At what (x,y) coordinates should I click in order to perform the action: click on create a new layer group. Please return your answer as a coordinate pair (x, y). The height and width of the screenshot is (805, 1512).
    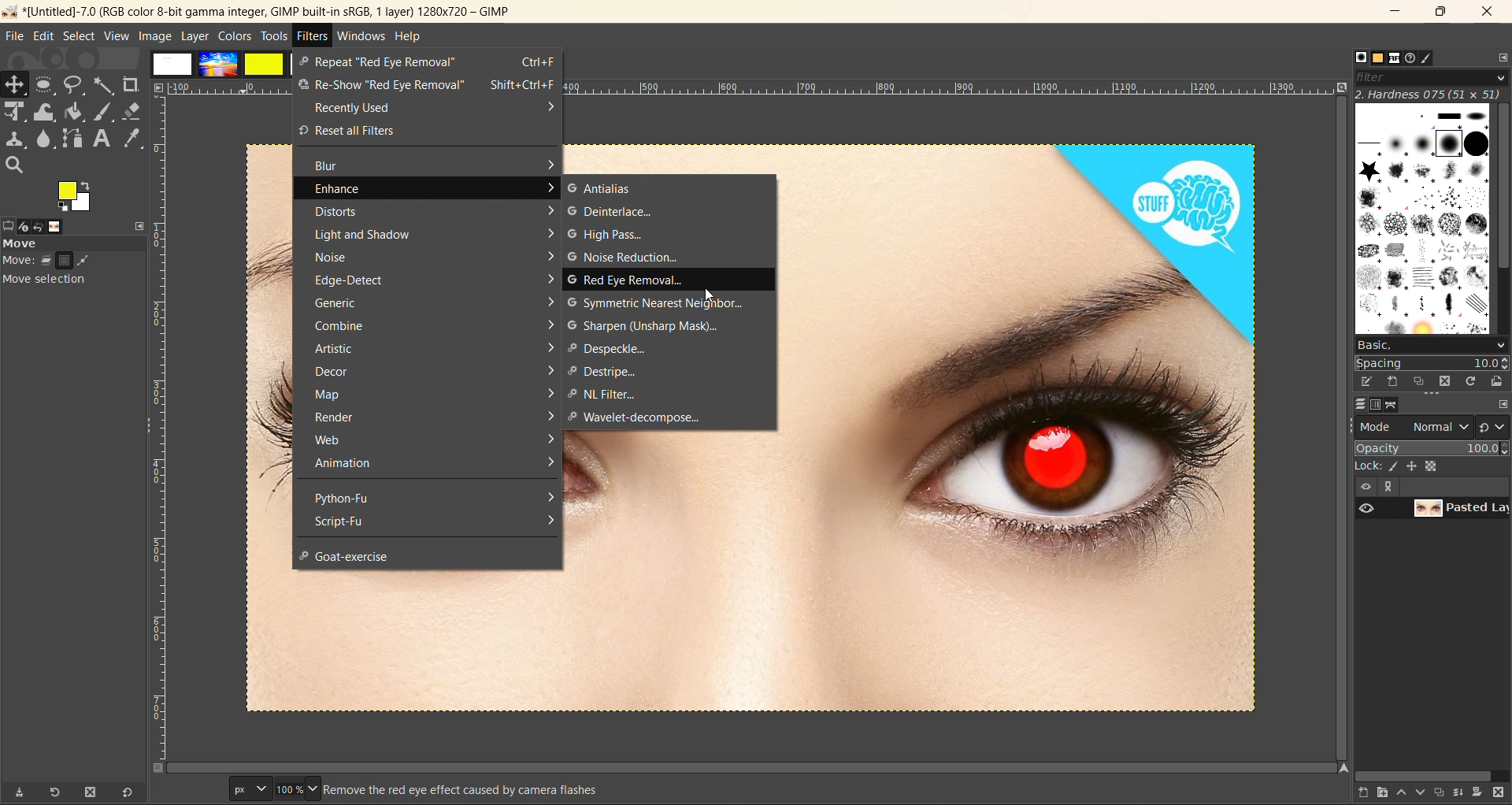
    Looking at the image, I should click on (1376, 794).